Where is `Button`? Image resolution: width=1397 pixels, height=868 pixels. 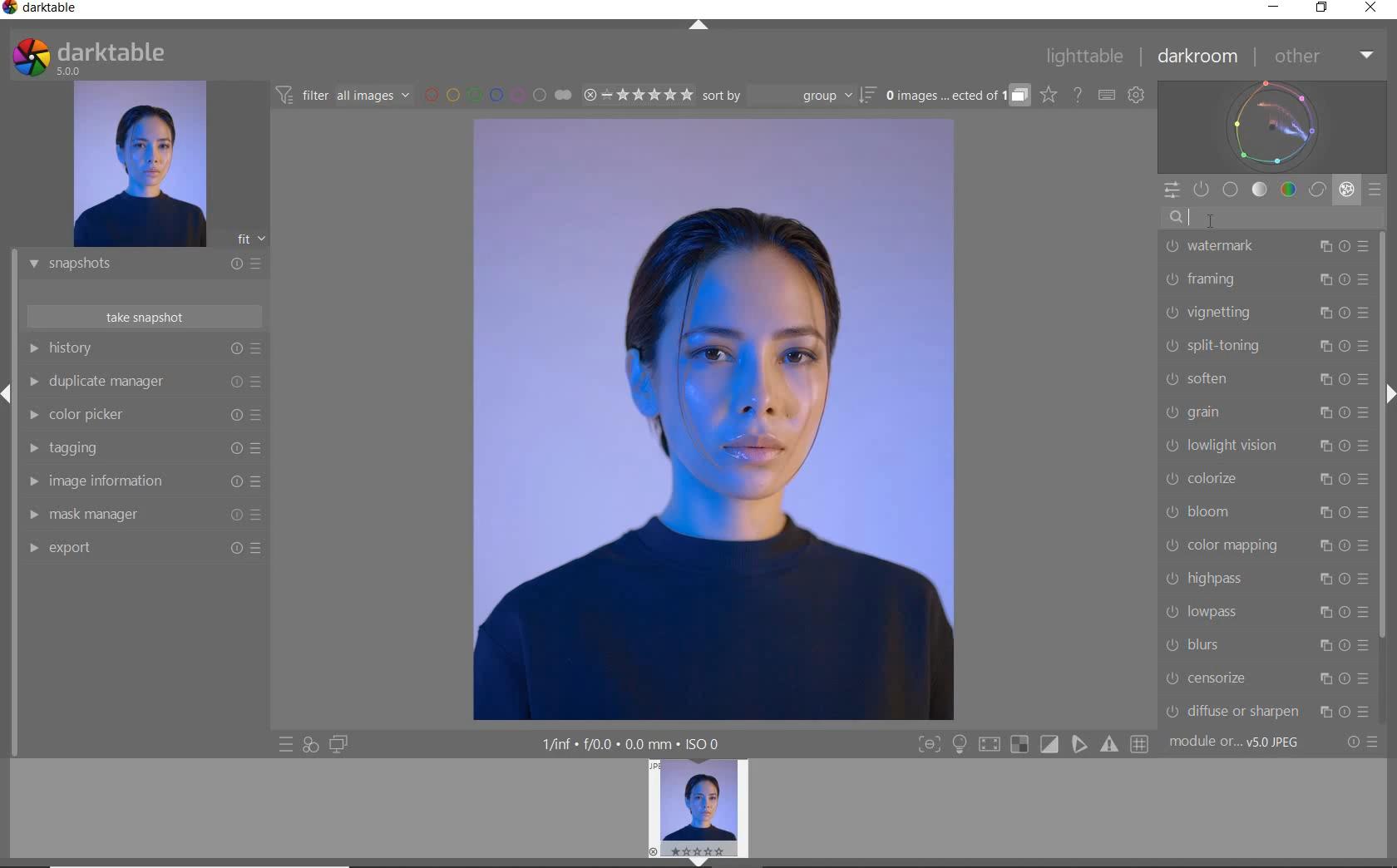
Button is located at coordinates (1141, 745).